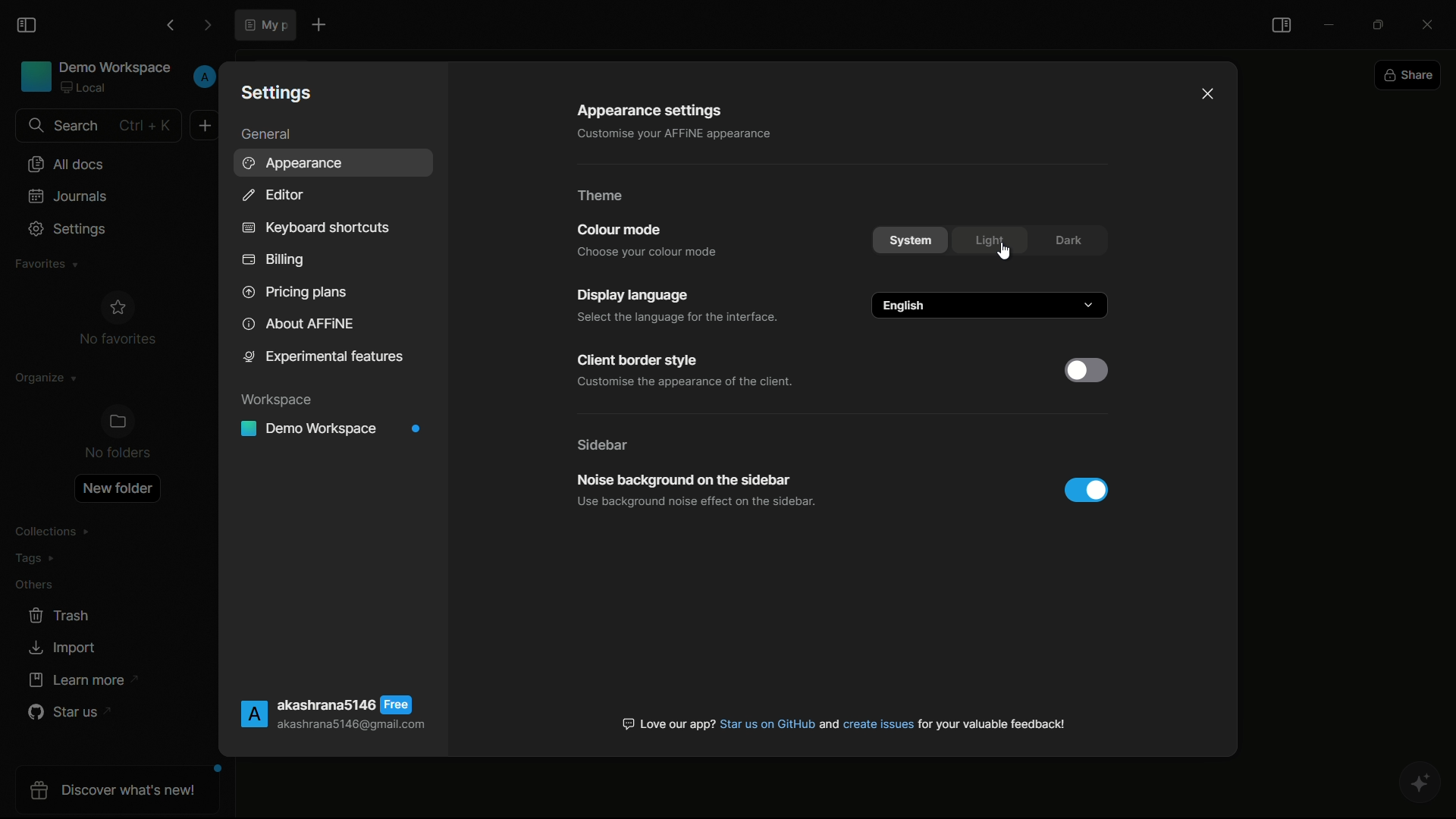 The width and height of the screenshot is (1456, 819). I want to click on pricing plans, so click(293, 290).